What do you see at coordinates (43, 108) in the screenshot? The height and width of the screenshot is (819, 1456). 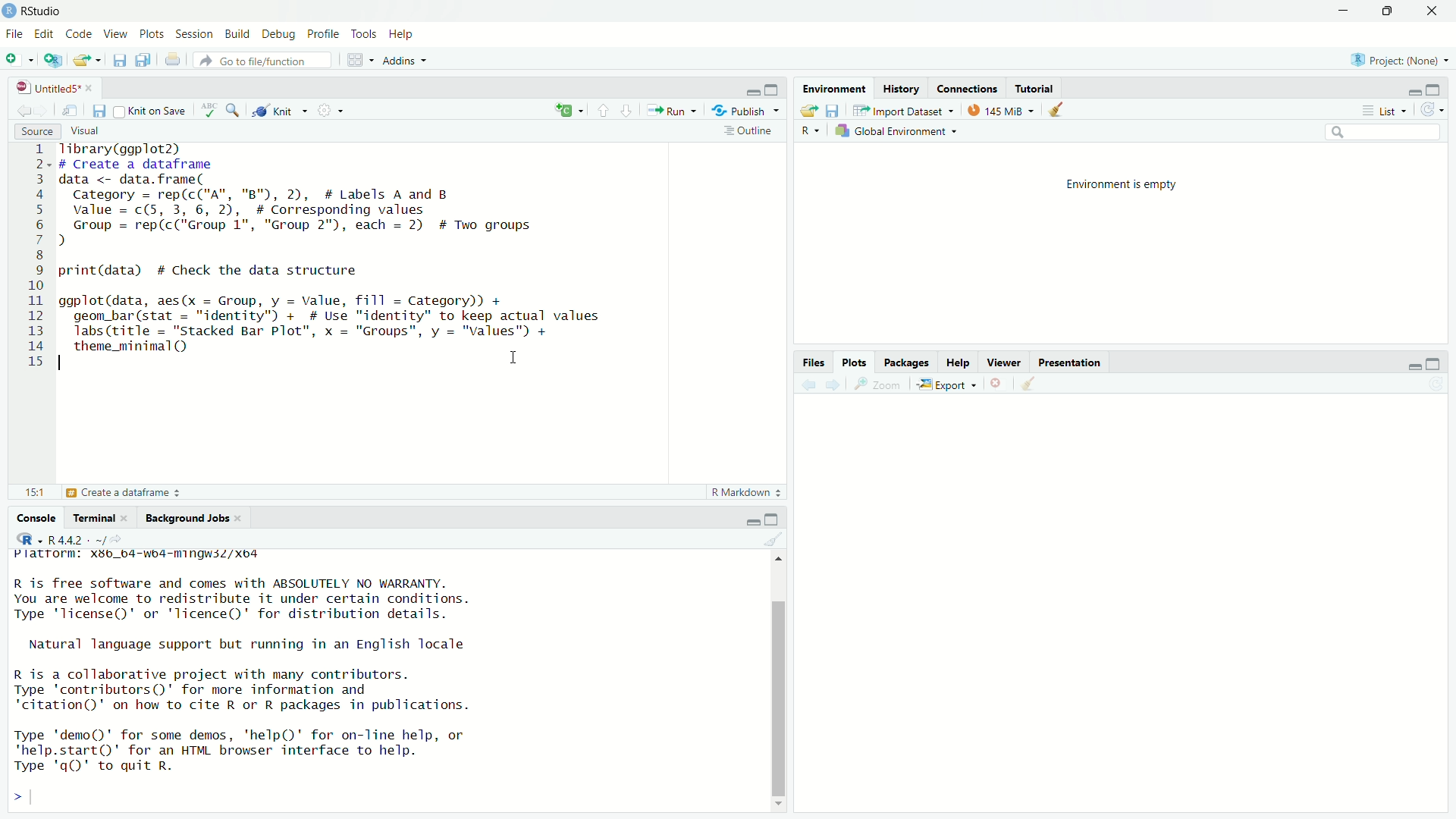 I see `Go forward to the next source location (Ctrl + F10)` at bounding box center [43, 108].